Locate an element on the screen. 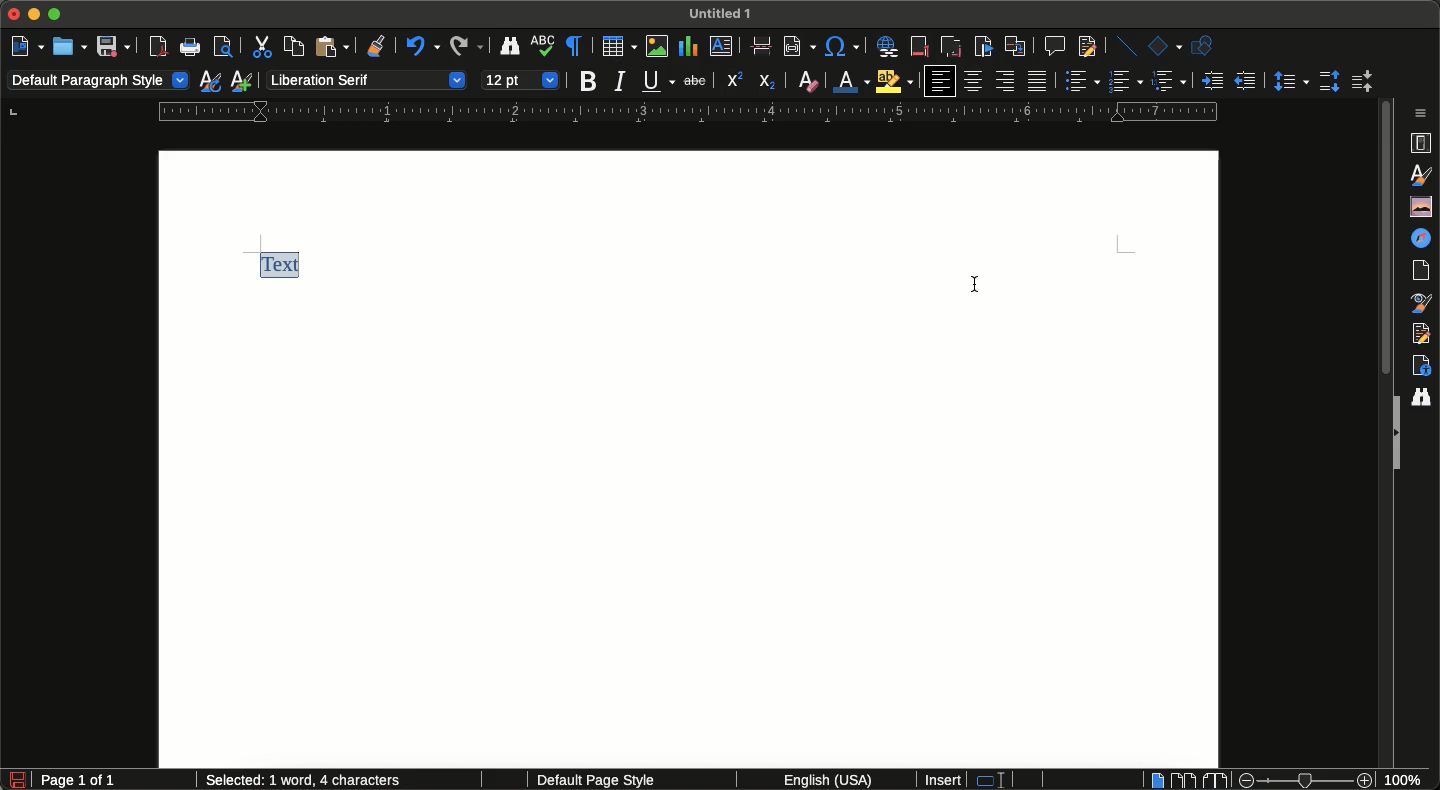  Clear direct formatting is located at coordinates (807, 82).